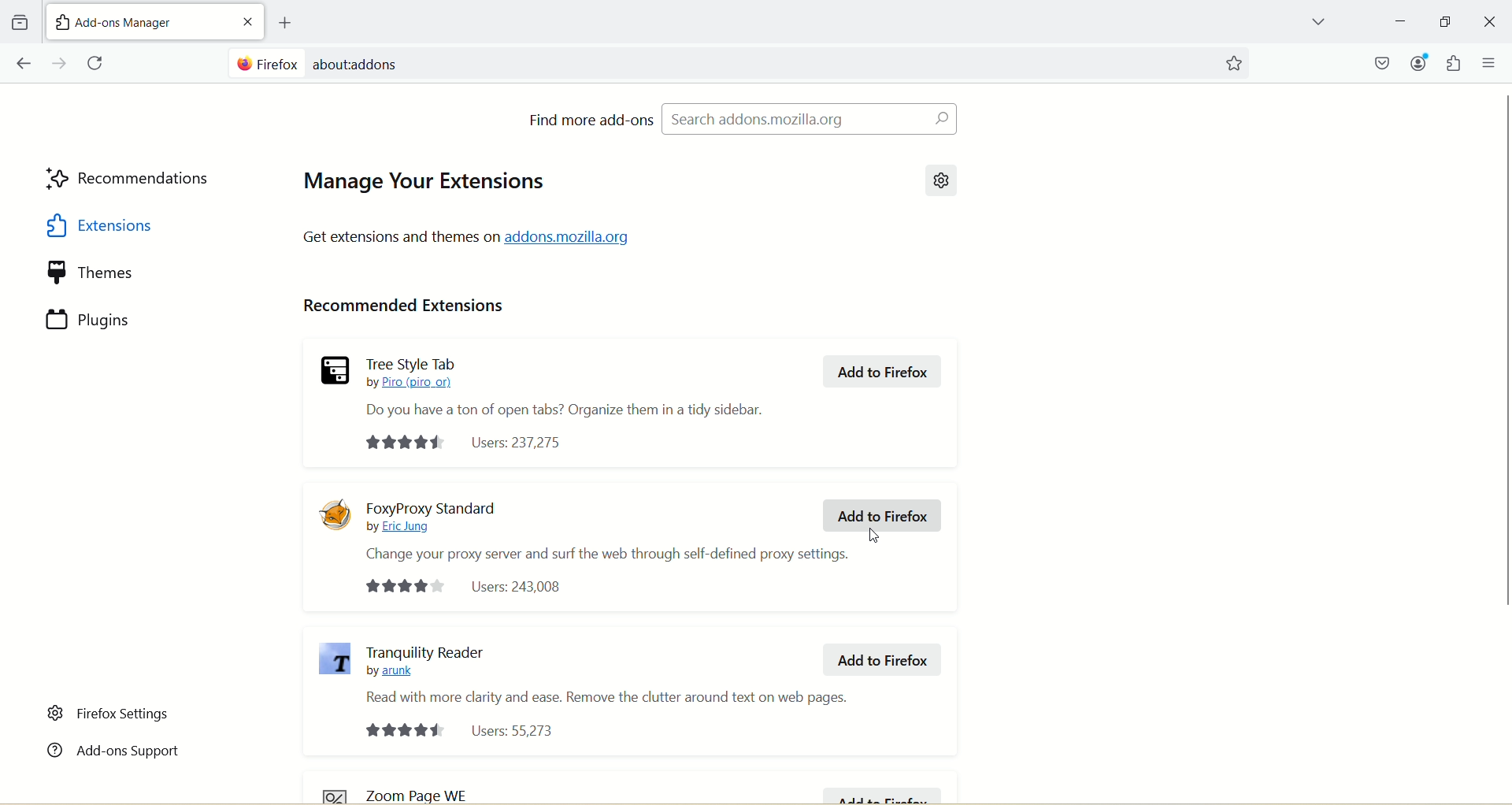  What do you see at coordinates (248, 21) in the screenshot?
I see `Close` at bounding box center [248, 21].